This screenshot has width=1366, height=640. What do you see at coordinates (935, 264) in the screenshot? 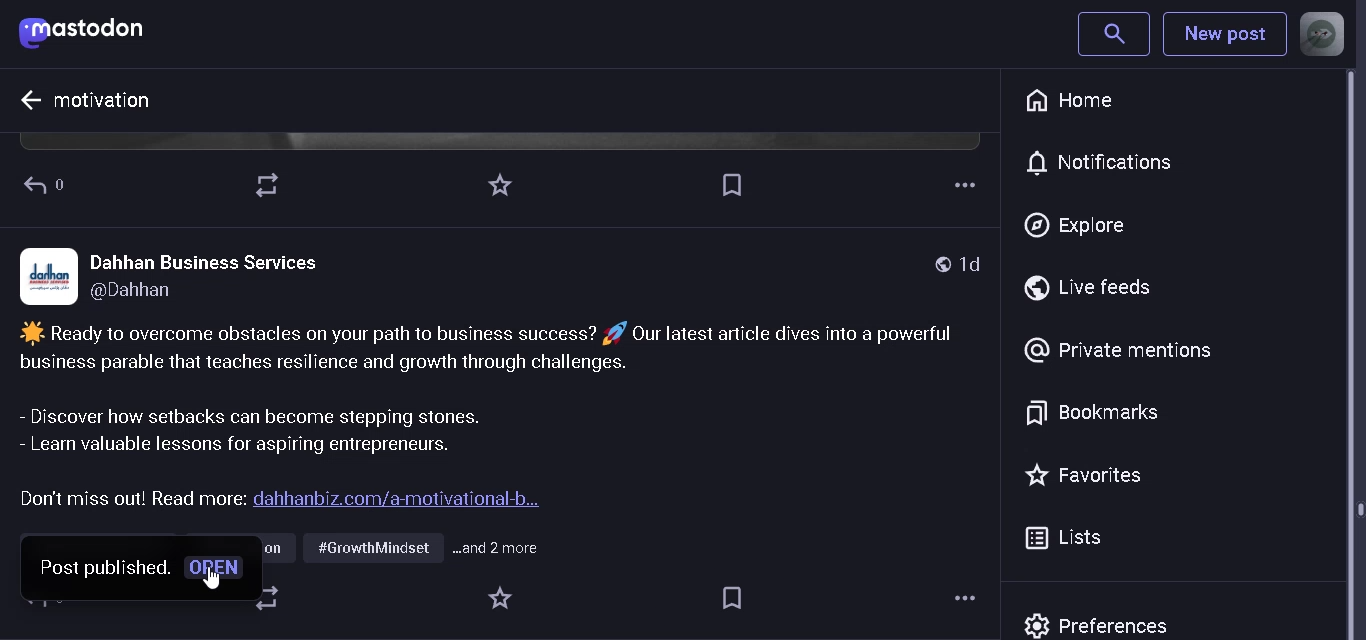
I see `Global Post` at bounding box center [935, 264].